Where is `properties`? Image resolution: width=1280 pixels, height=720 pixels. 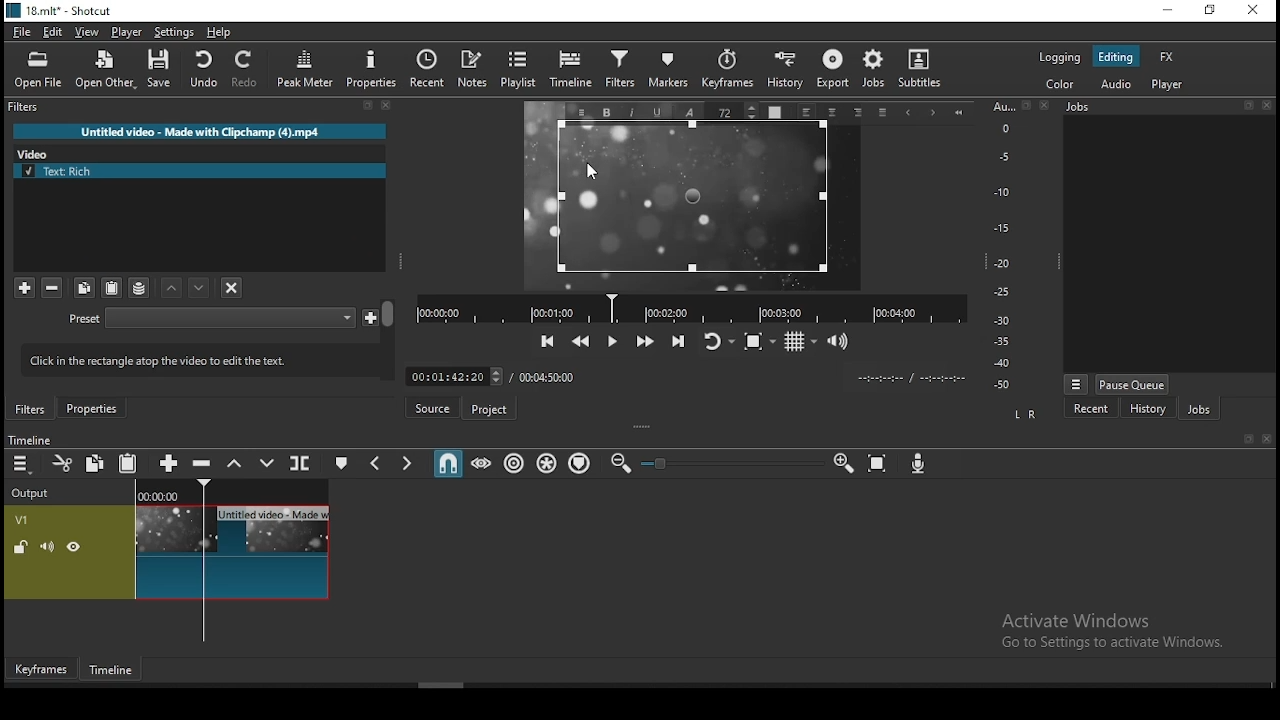 properties is located at coordinates (91, 408).